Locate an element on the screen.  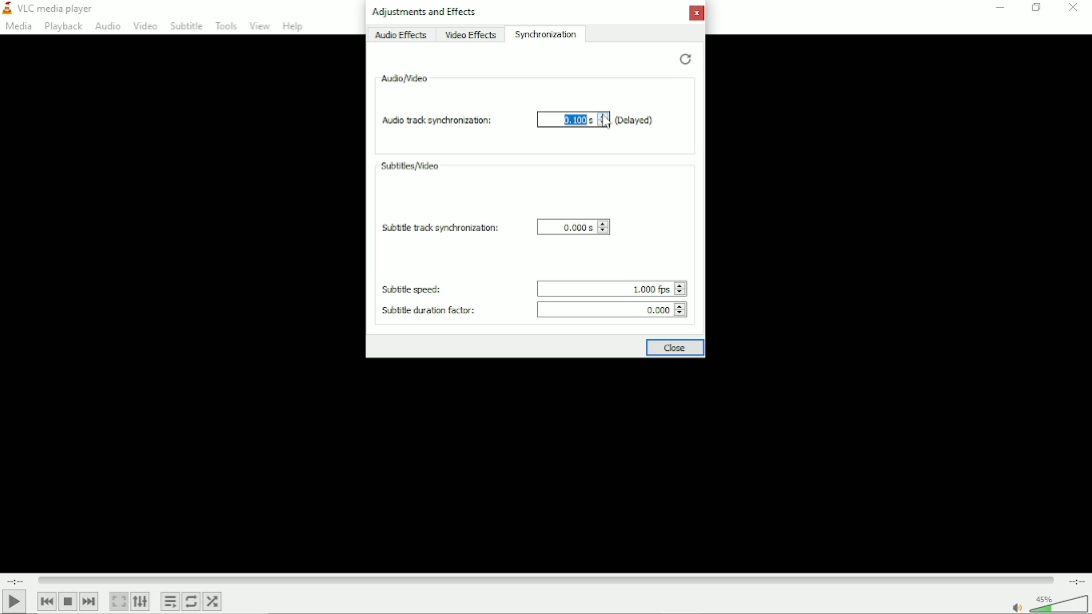
minimize is located at coordinates (999, 8).